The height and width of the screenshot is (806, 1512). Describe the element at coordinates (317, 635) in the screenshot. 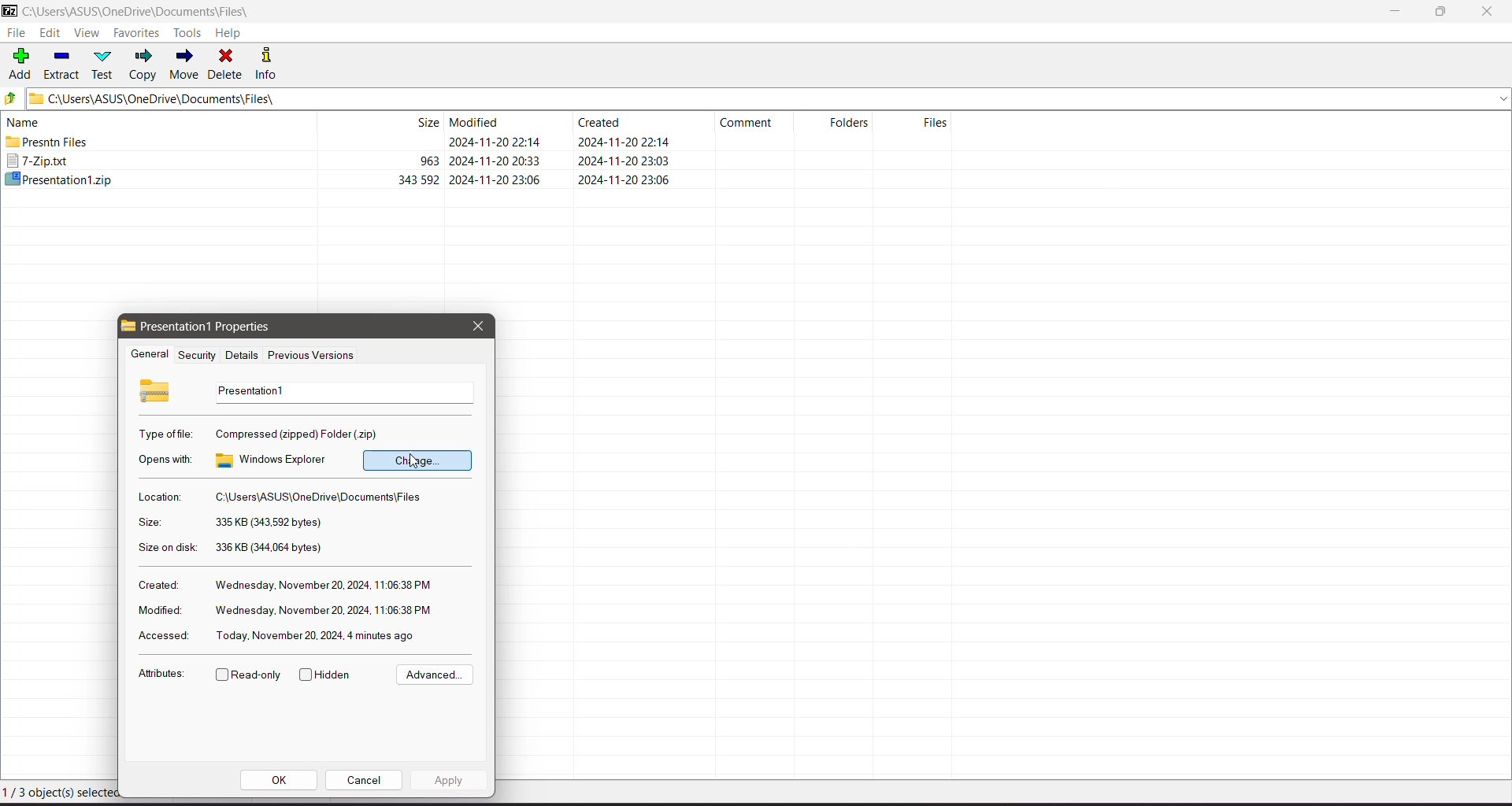

I see `Accessed Day, Date, Year and time` at that location.